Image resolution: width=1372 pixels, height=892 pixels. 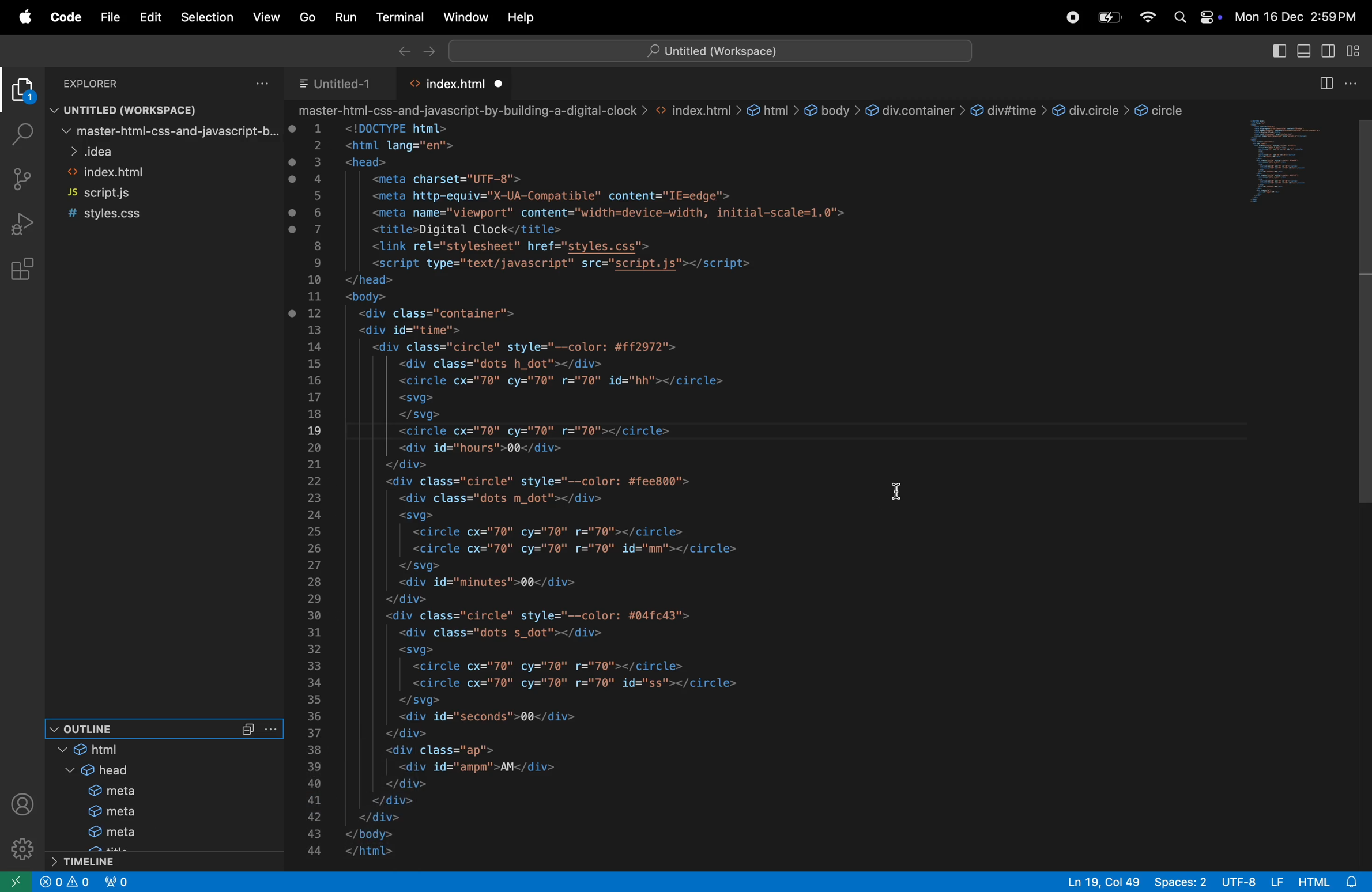 What do you see at coordinates (1106, 882) in the screenshot?
I see `line 19 col 49` at bounding box center [1106, 882].